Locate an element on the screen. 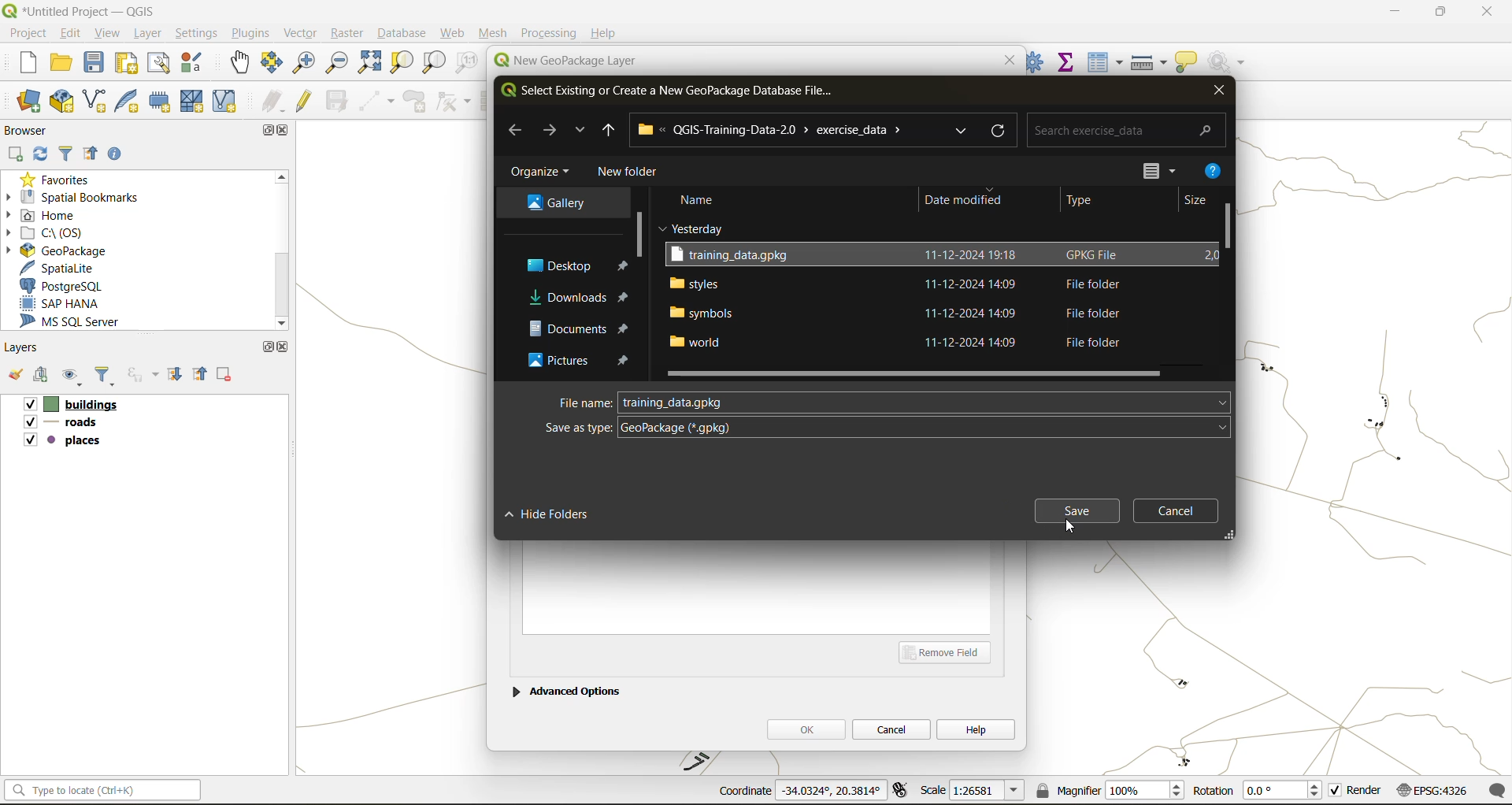  spatialite is located at coordinates (66, 268).